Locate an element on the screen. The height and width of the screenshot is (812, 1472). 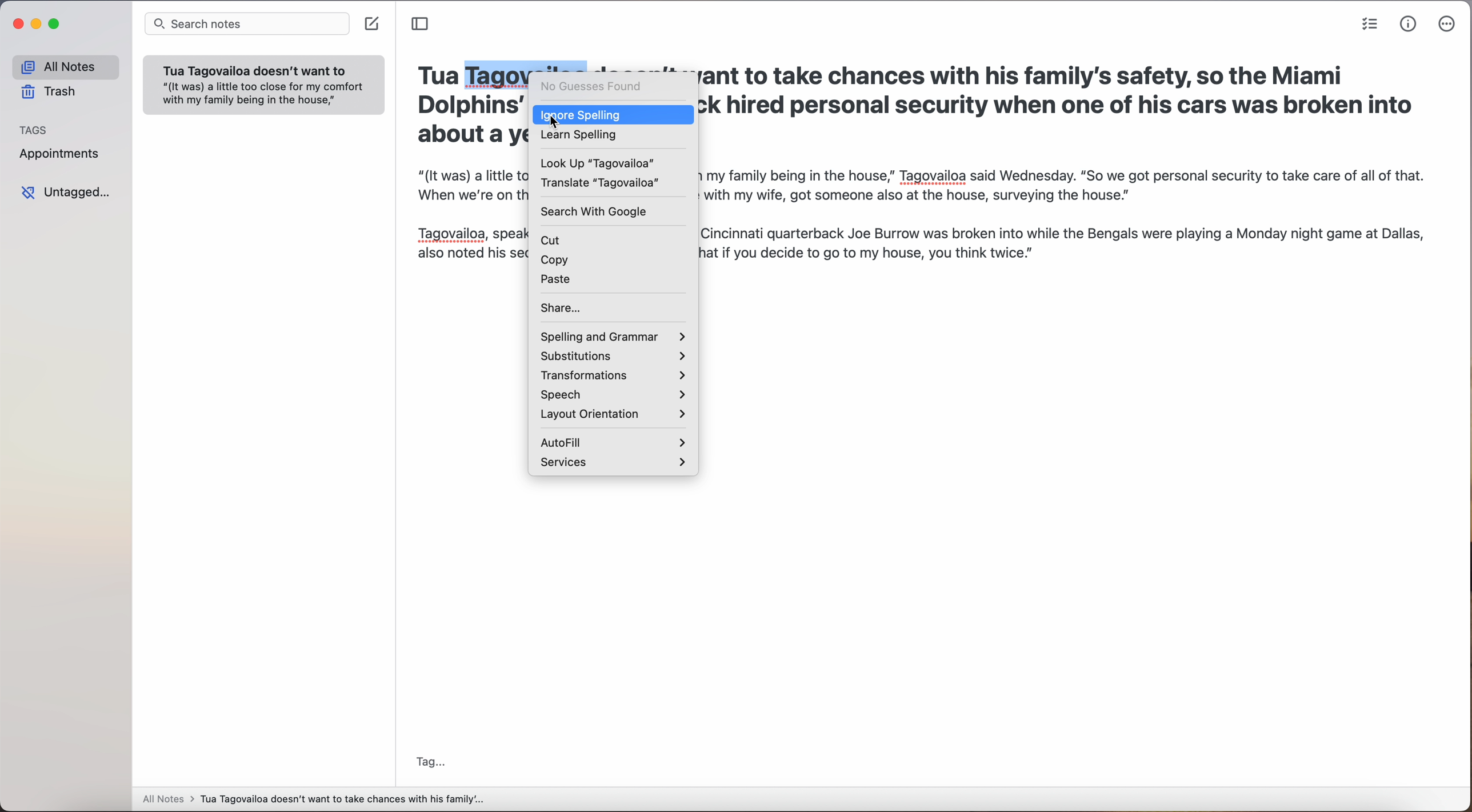
cursor is located at coordinates (551, 119).